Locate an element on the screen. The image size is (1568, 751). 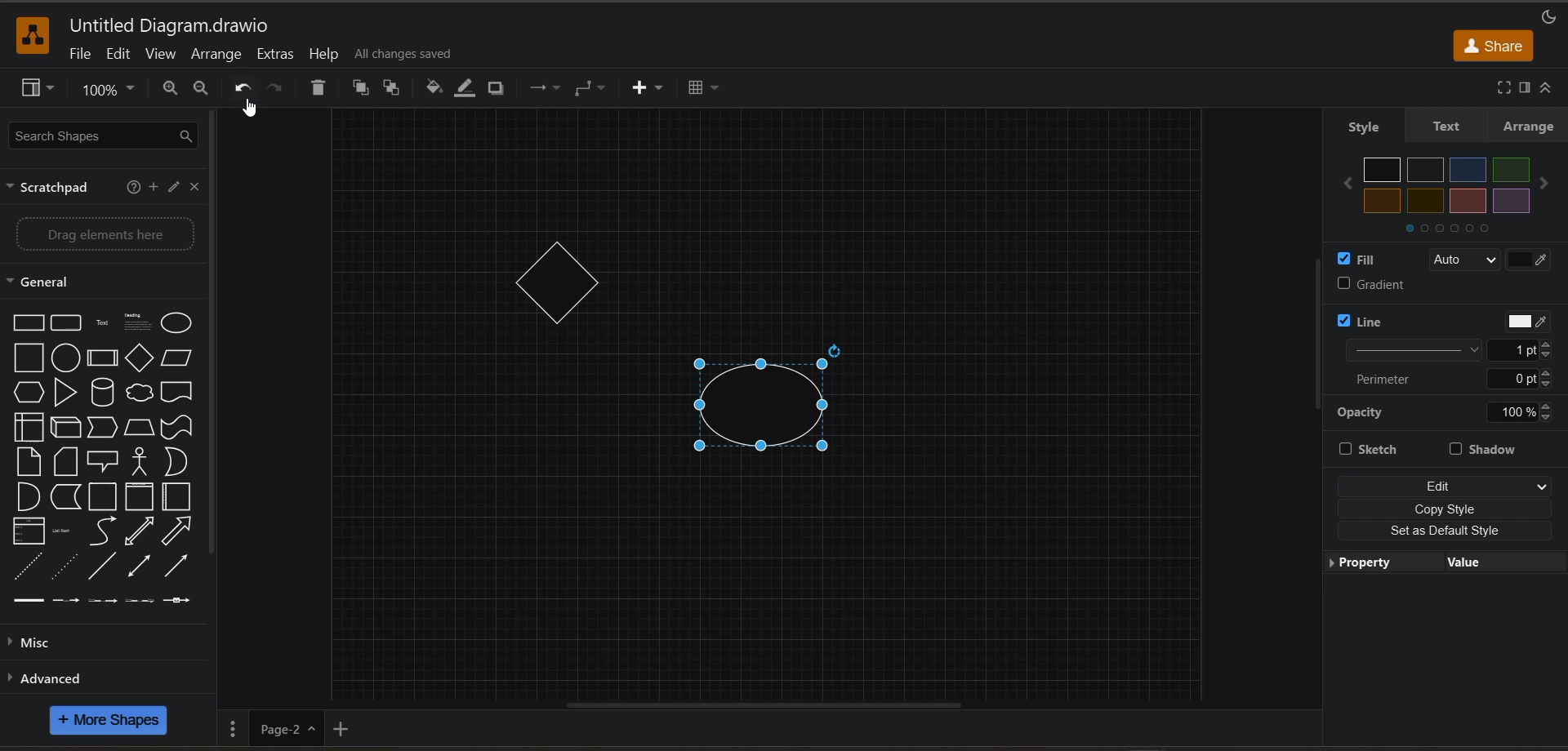
Cube is located at coordinates (67, 427).